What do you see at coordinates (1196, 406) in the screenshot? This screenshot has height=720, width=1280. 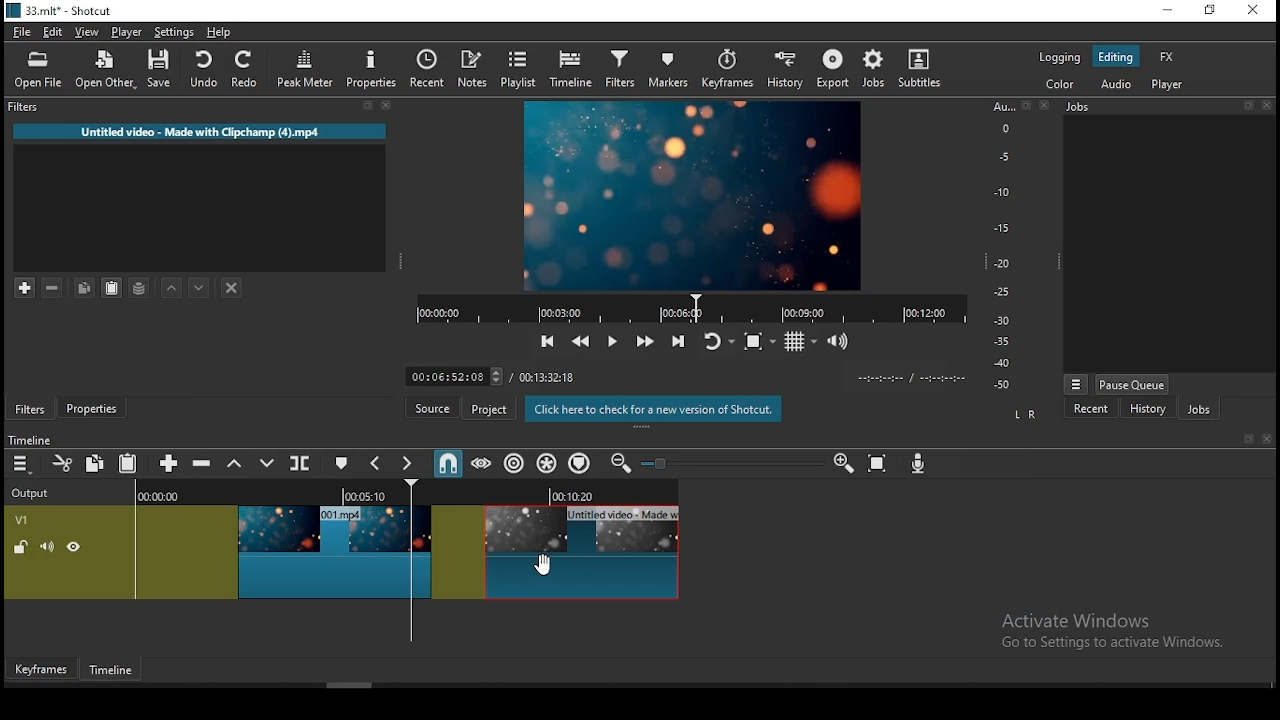 I see `jobs` at bounding box center [1196, 406].